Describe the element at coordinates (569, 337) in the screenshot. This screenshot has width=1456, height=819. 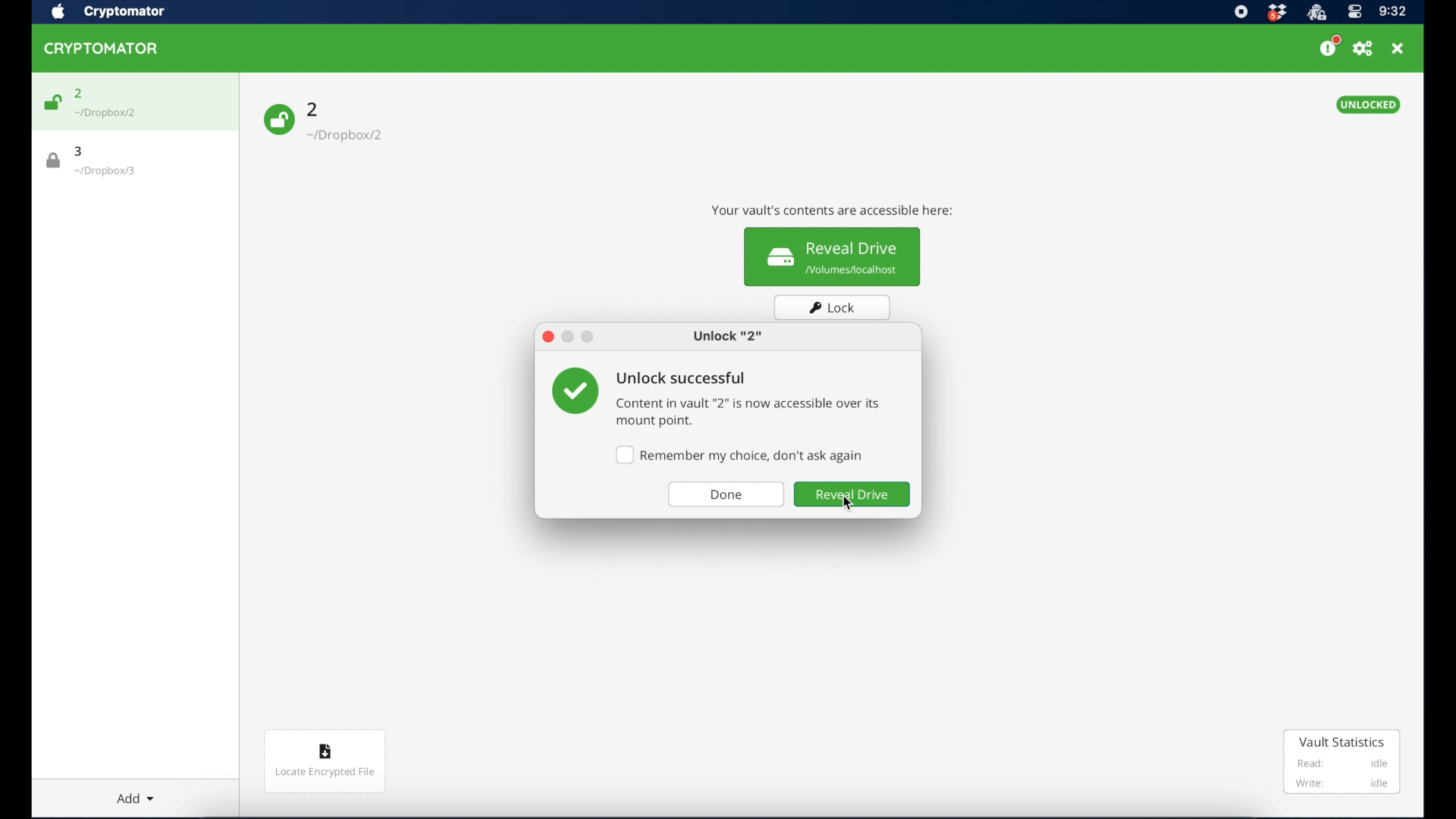
I see `minimize` at that location.